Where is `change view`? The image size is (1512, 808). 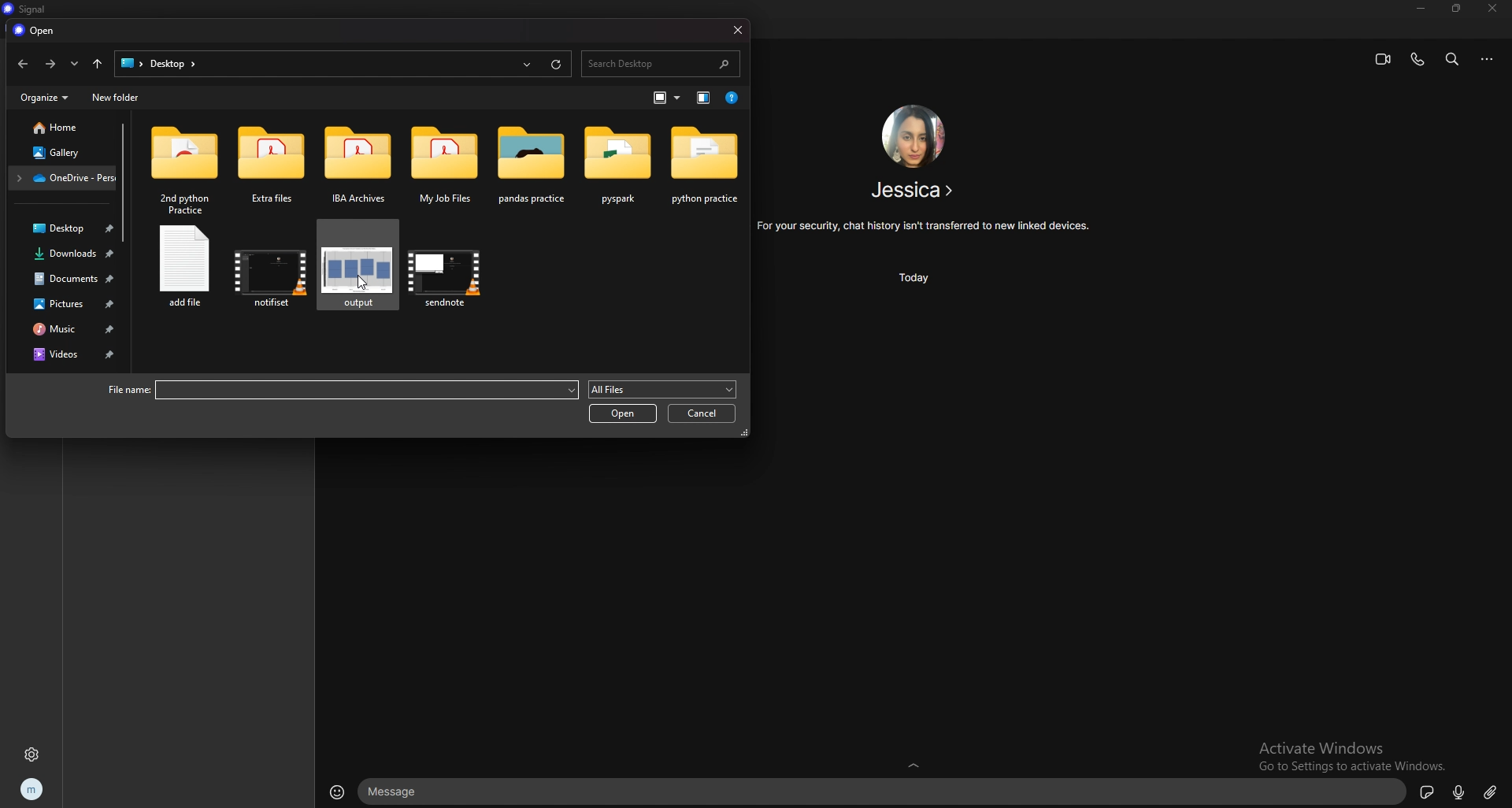
change view is located at coordinates (703, 98).